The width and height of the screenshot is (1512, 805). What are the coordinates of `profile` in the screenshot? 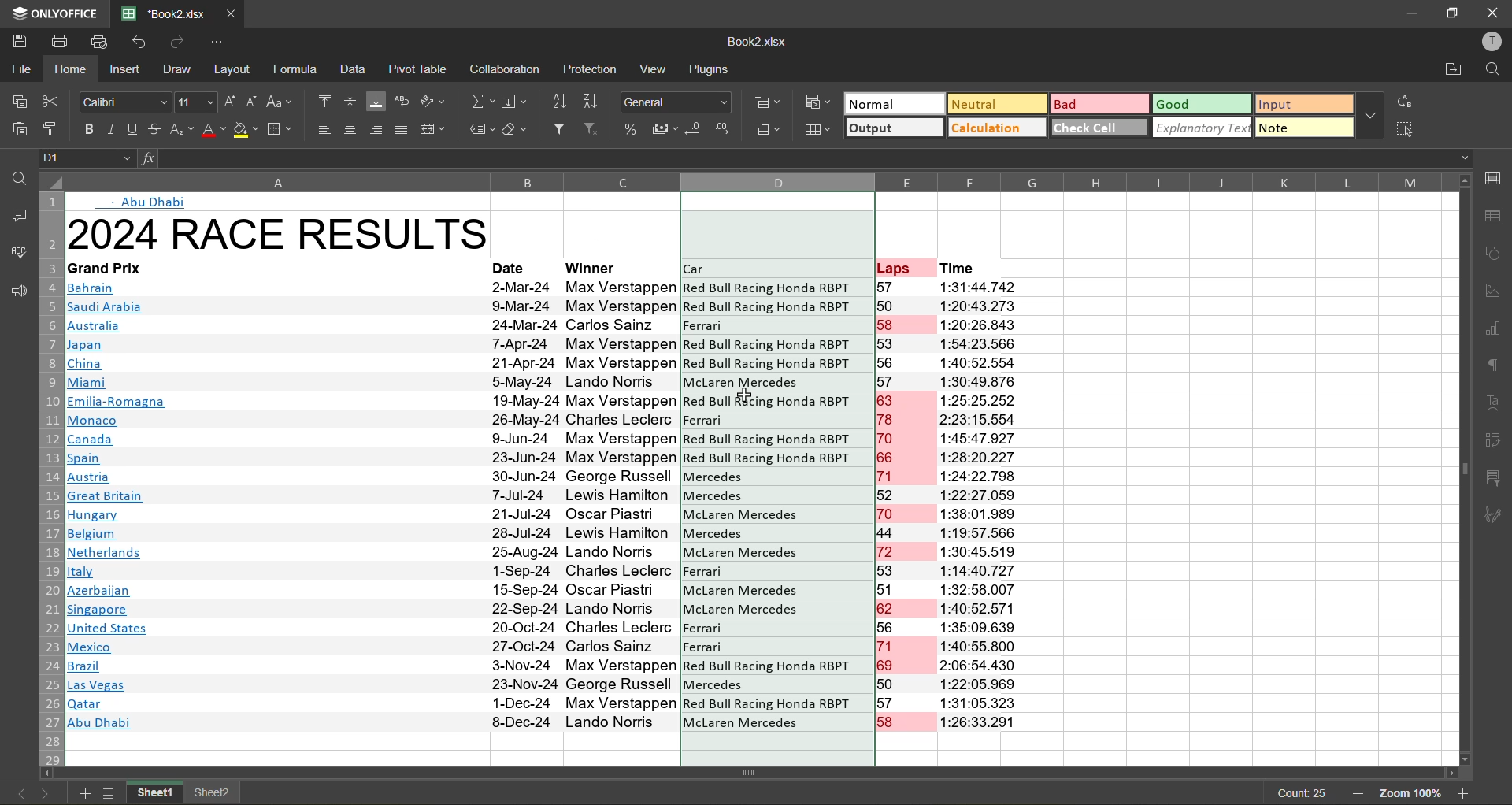 It's located at (1494, 42).